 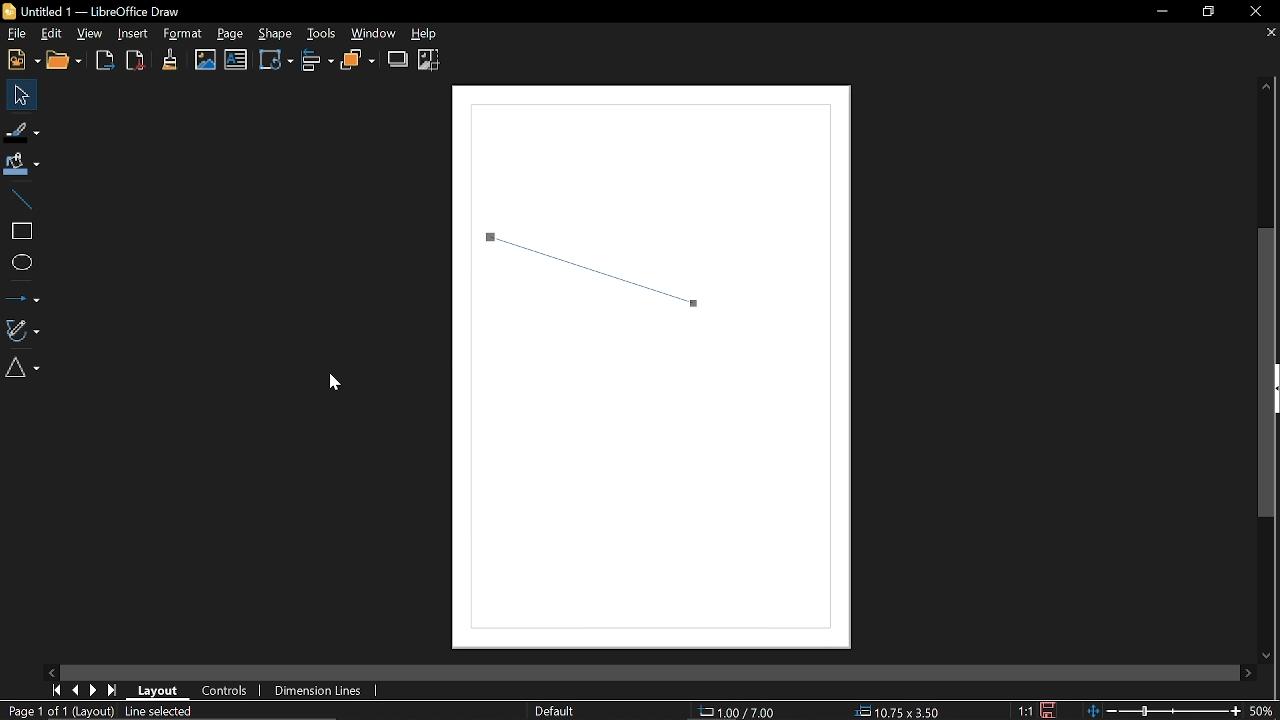 What do you see at coordinates (20, 197) in the screenshot?
I see `Line` at bounding box center [20, 197].